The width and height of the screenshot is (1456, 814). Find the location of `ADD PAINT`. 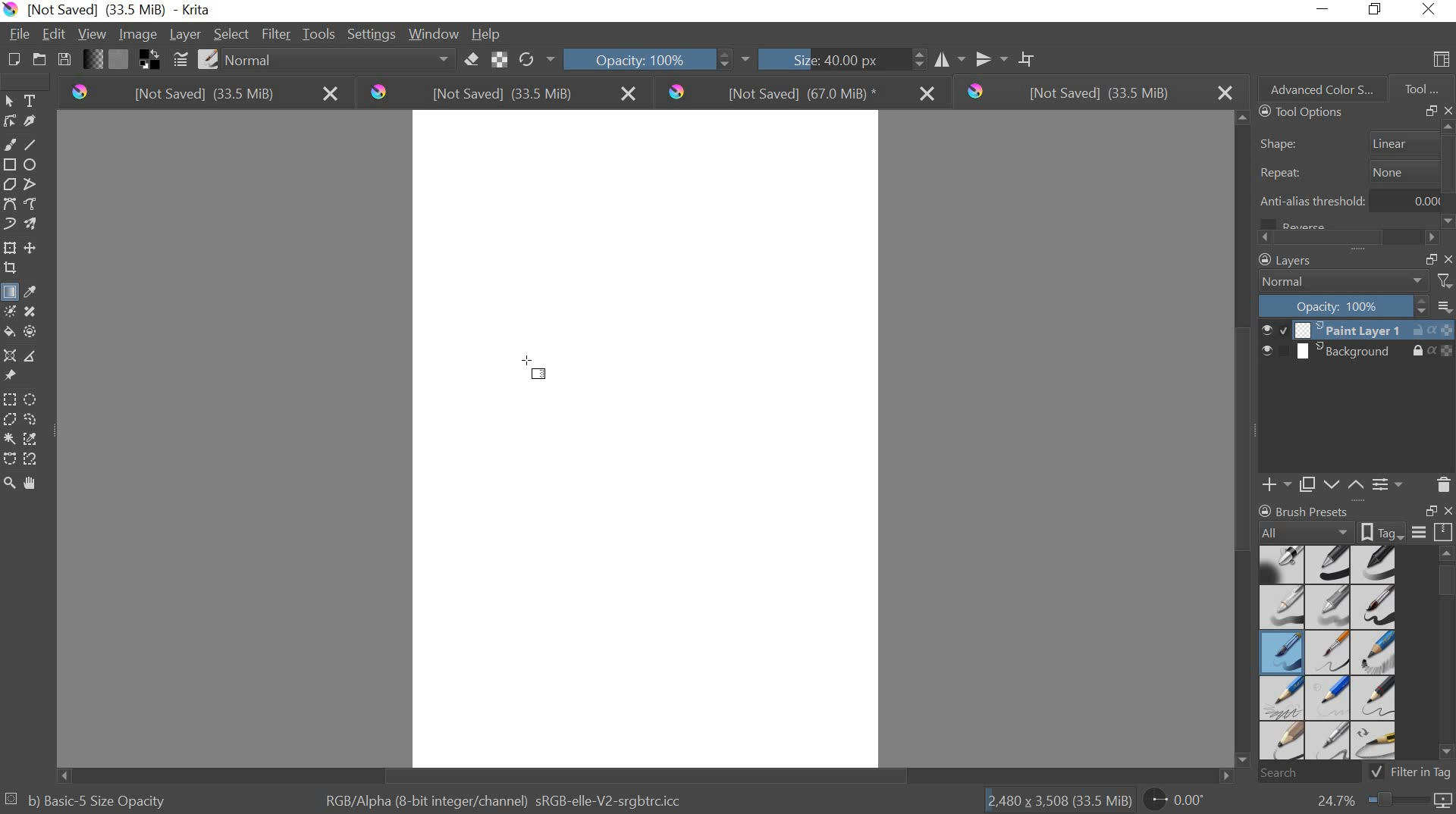

ADD PAINT is located at coordinates (1274, 484).